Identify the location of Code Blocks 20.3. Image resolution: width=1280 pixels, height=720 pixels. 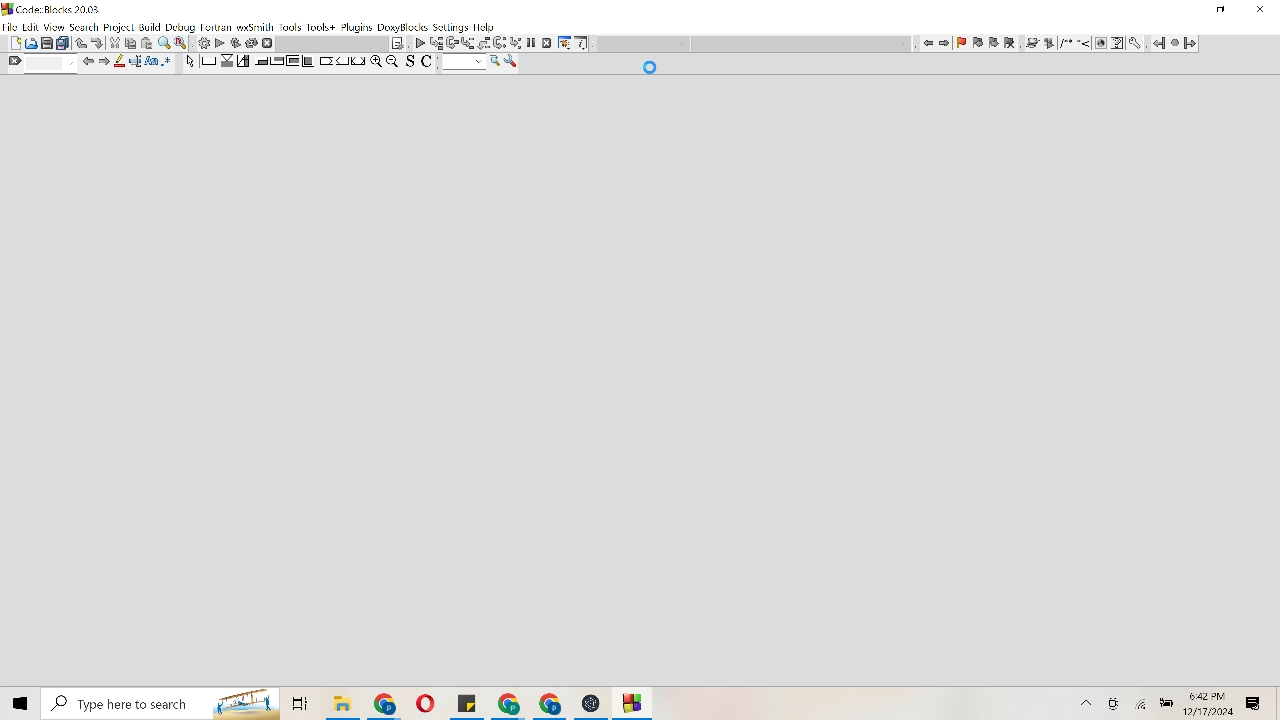
(50, 8).